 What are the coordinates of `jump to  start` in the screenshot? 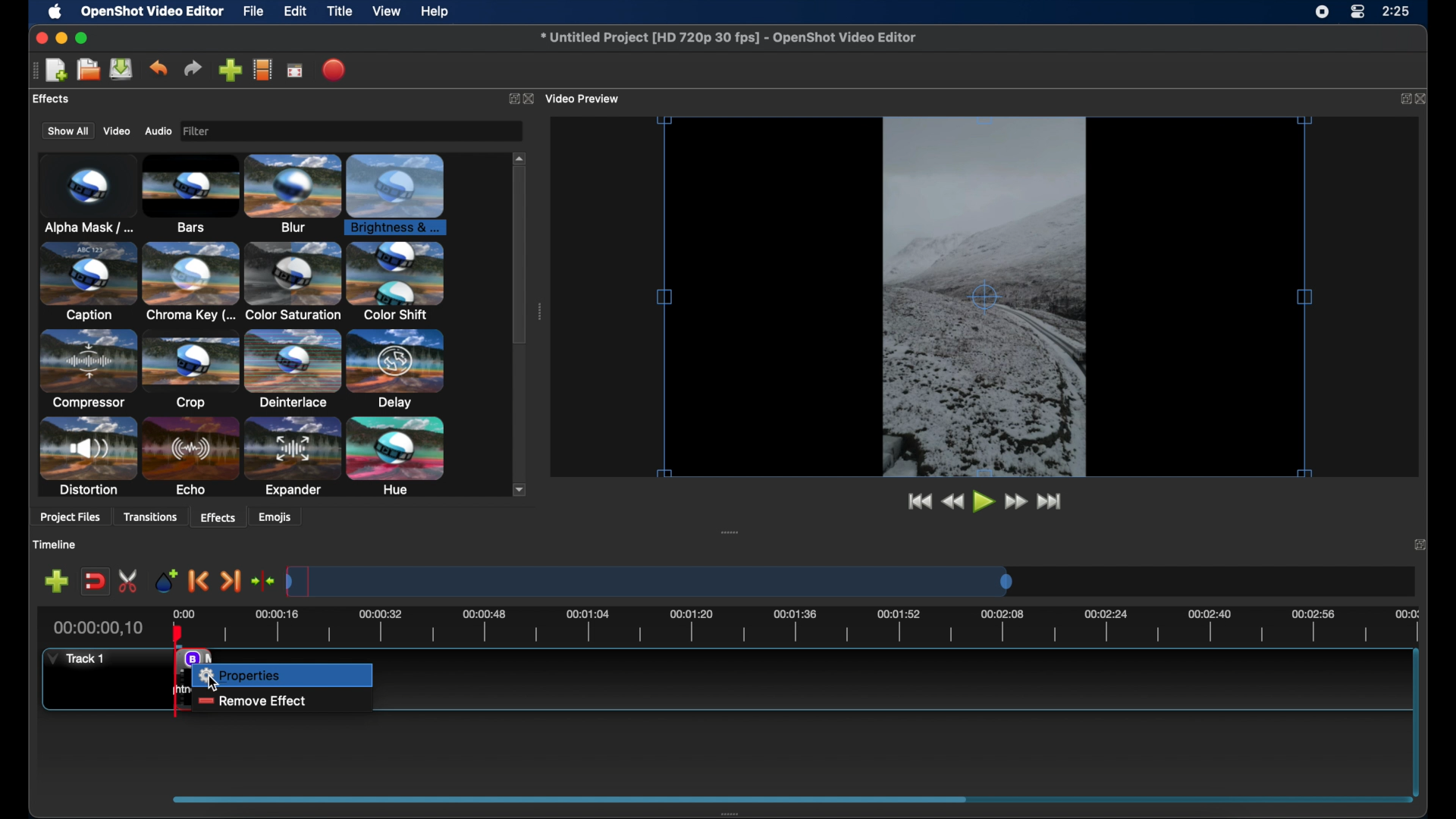 It's located at (918, 500).